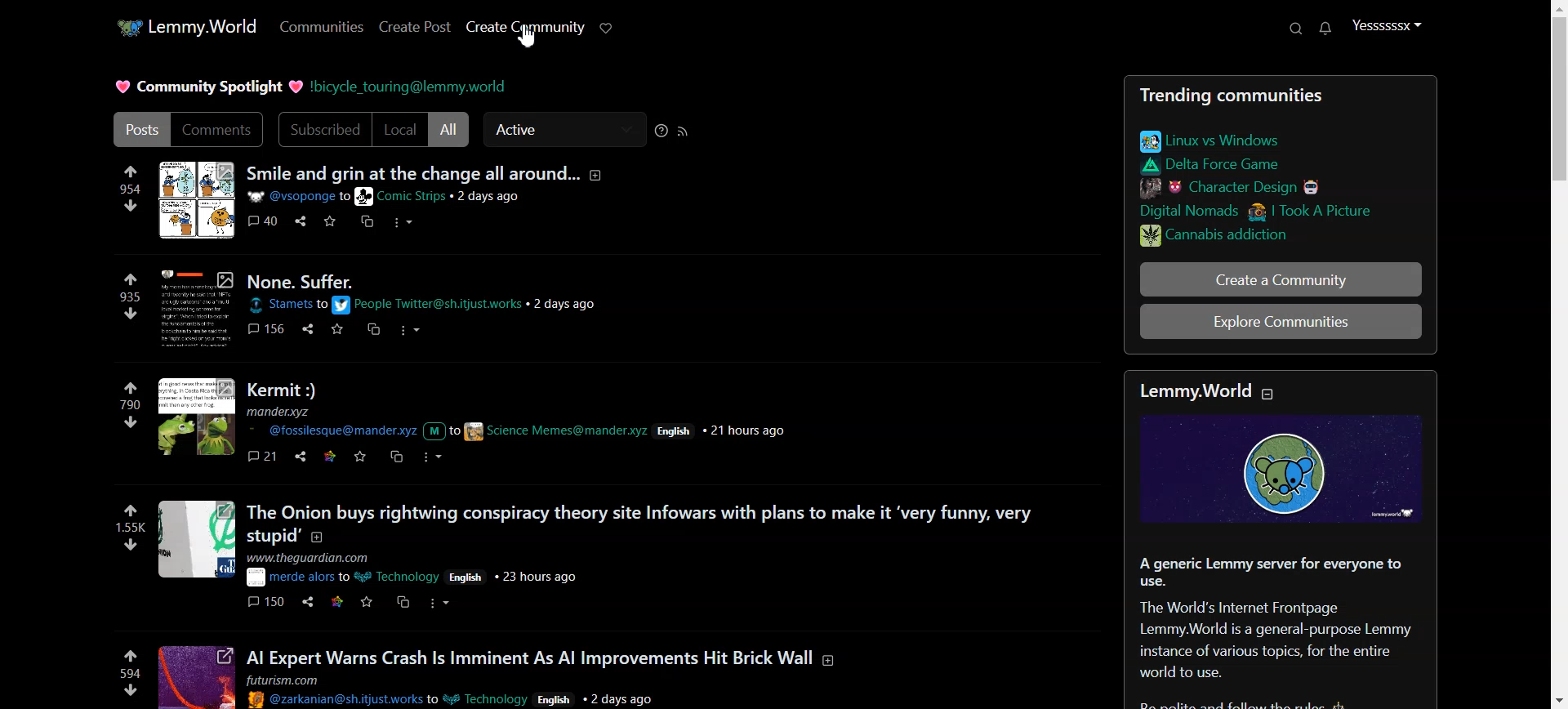 This screenshot has height=709, width=1568. Describe the element at coordinates (661, 128) in the screenshot. I see `Sorting help` at that location.